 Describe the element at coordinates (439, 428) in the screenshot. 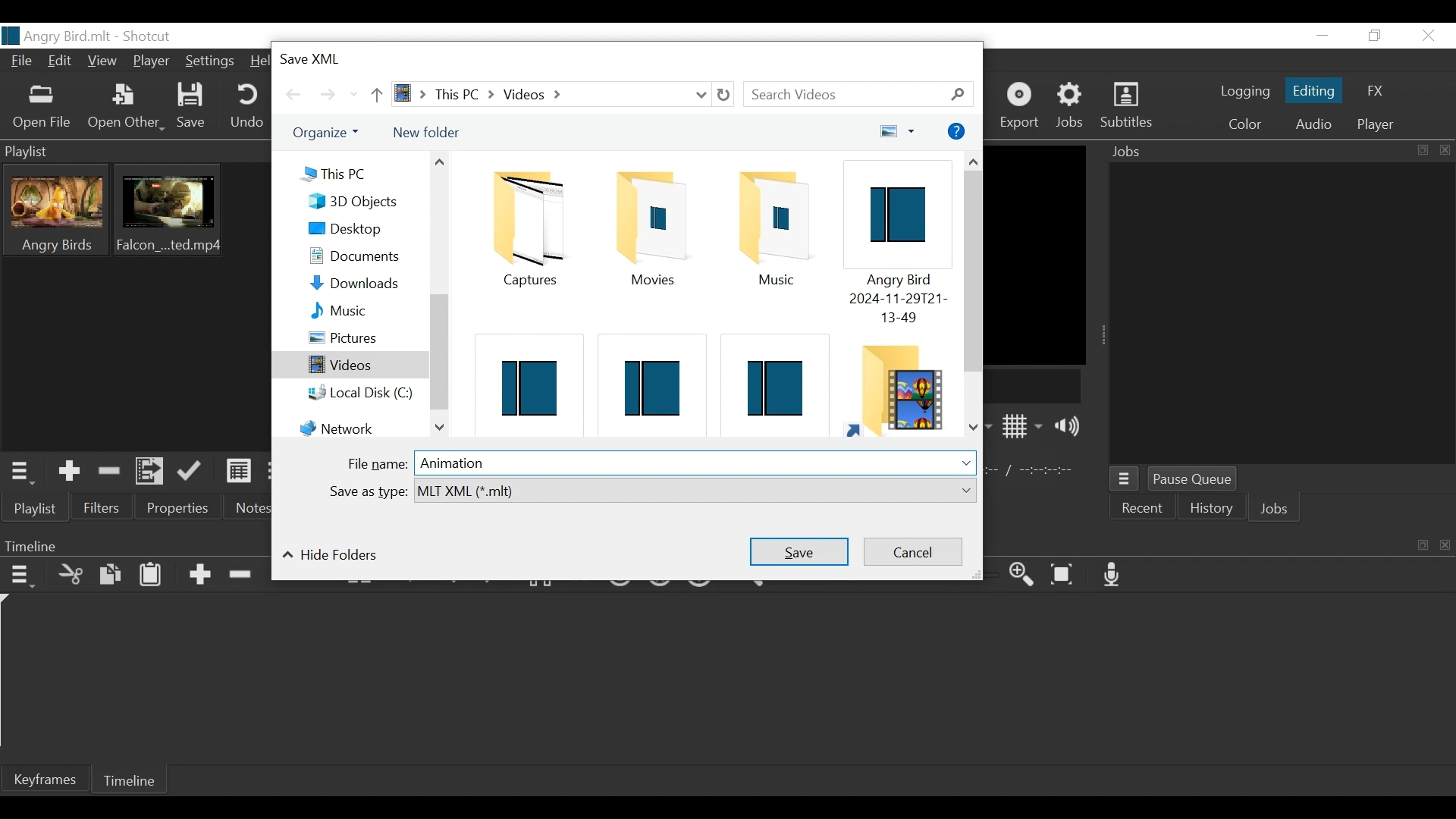

I see `Scroll down` at that location.